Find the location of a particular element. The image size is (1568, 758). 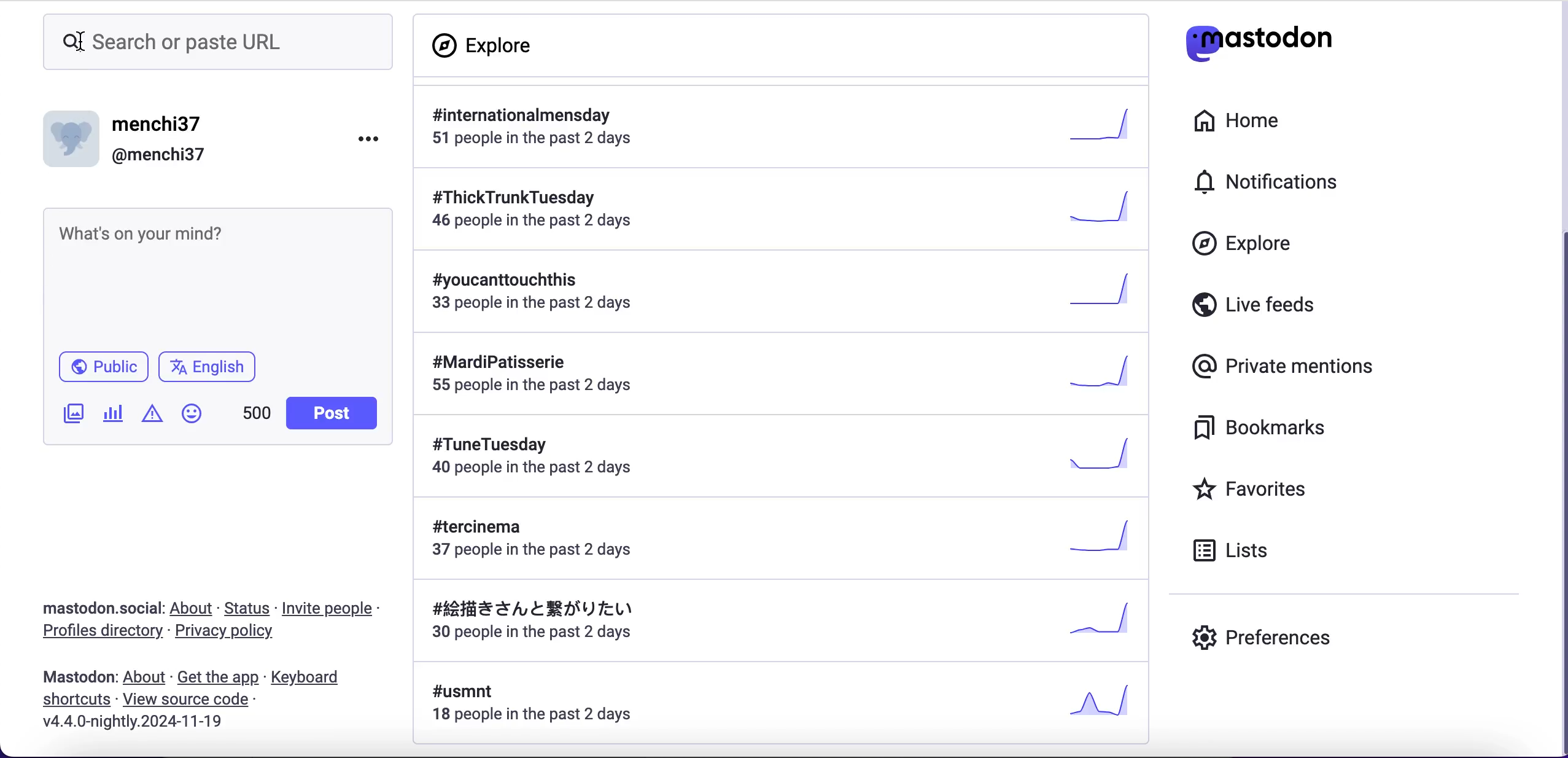

post is located at coordinates (334, 411).